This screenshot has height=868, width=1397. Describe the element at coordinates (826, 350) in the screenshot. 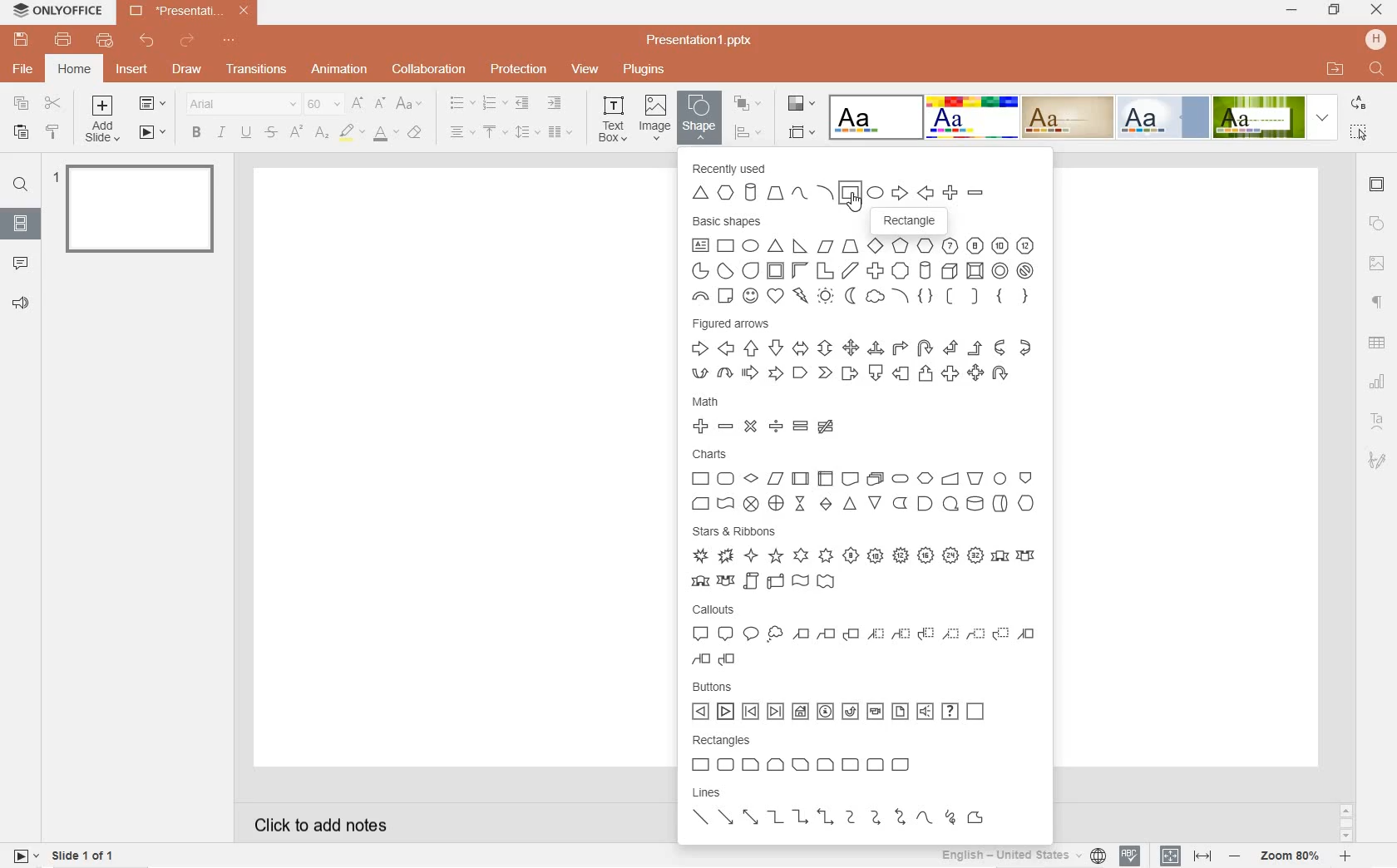

I see `Up Down Arrow` at that location.